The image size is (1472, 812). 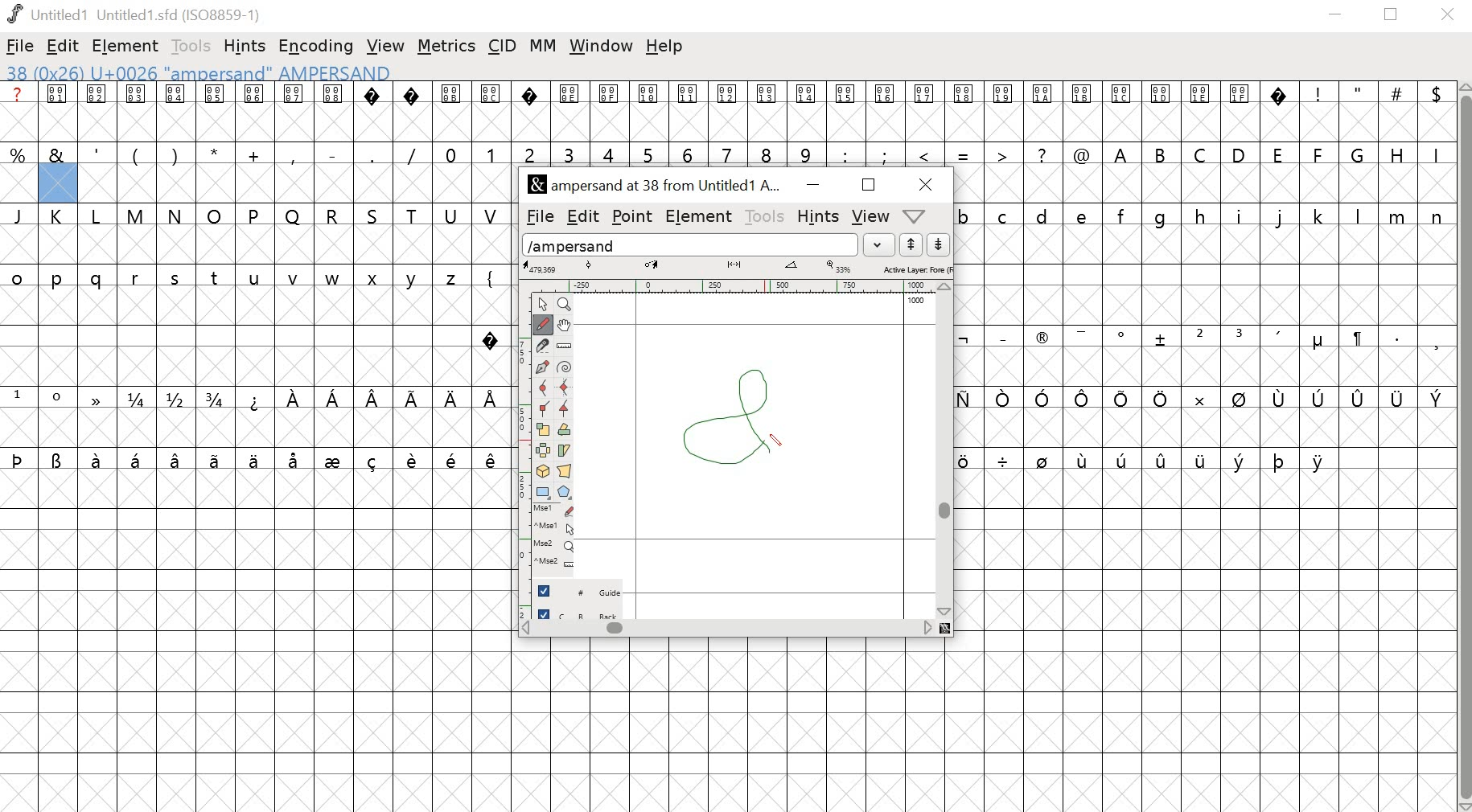 What do you see at coordinates (452, 215) in the screenshot?
I see `U` at bounding box center [452, 215].